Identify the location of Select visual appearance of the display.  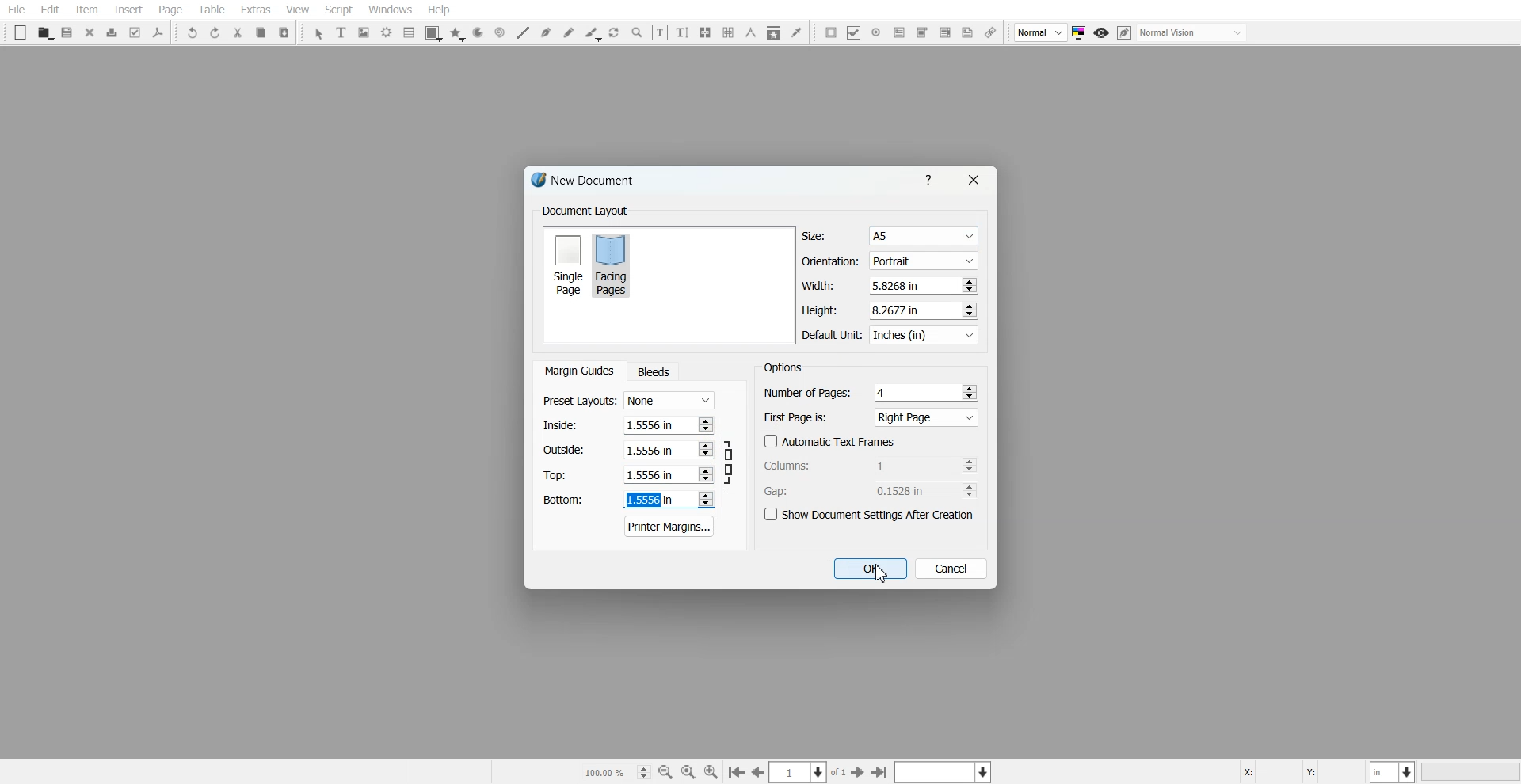
(1193, 33).